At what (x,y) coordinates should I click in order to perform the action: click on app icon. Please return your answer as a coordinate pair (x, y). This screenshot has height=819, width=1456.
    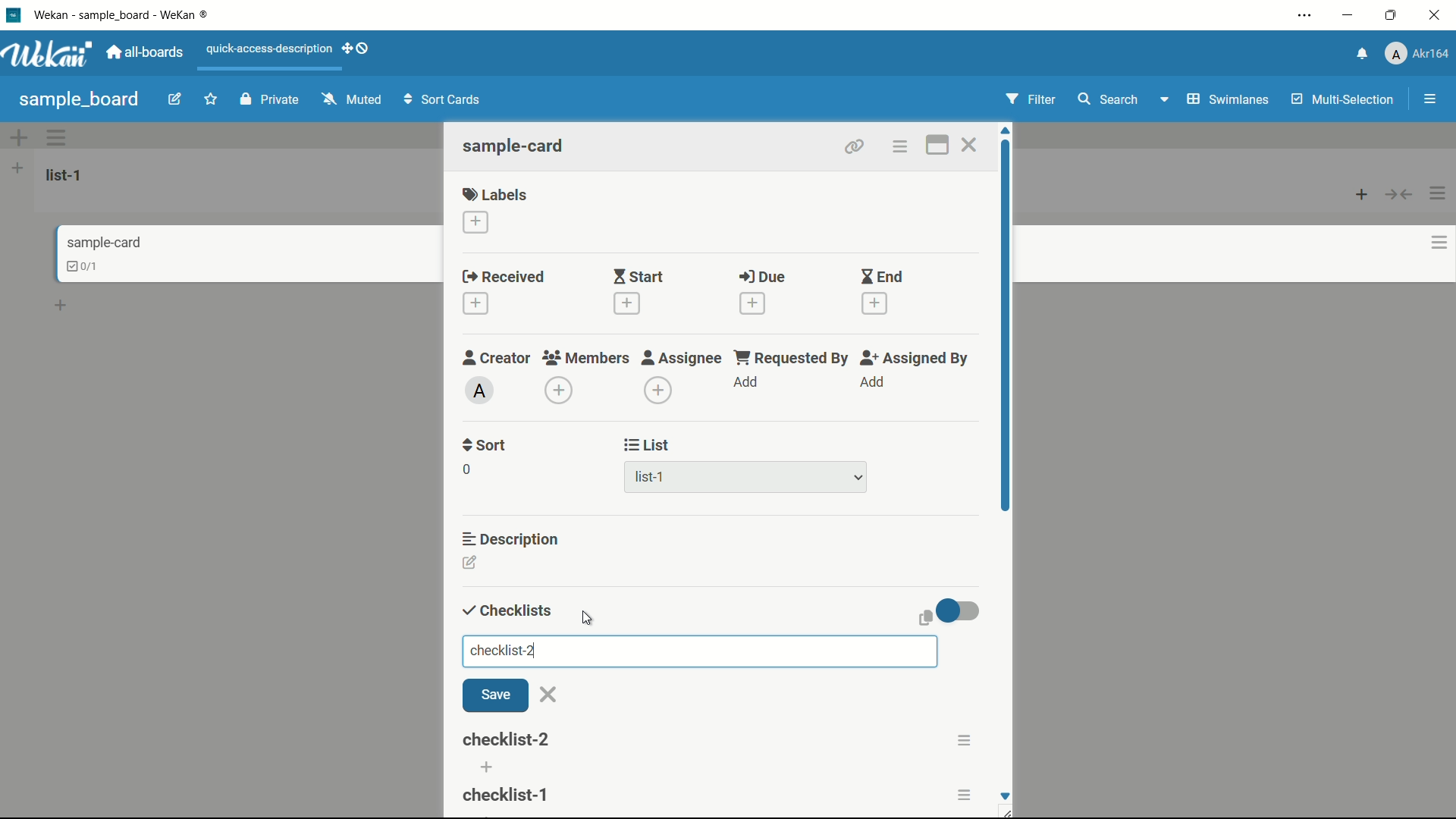
    Looking at the image, I should click on (13, 14).